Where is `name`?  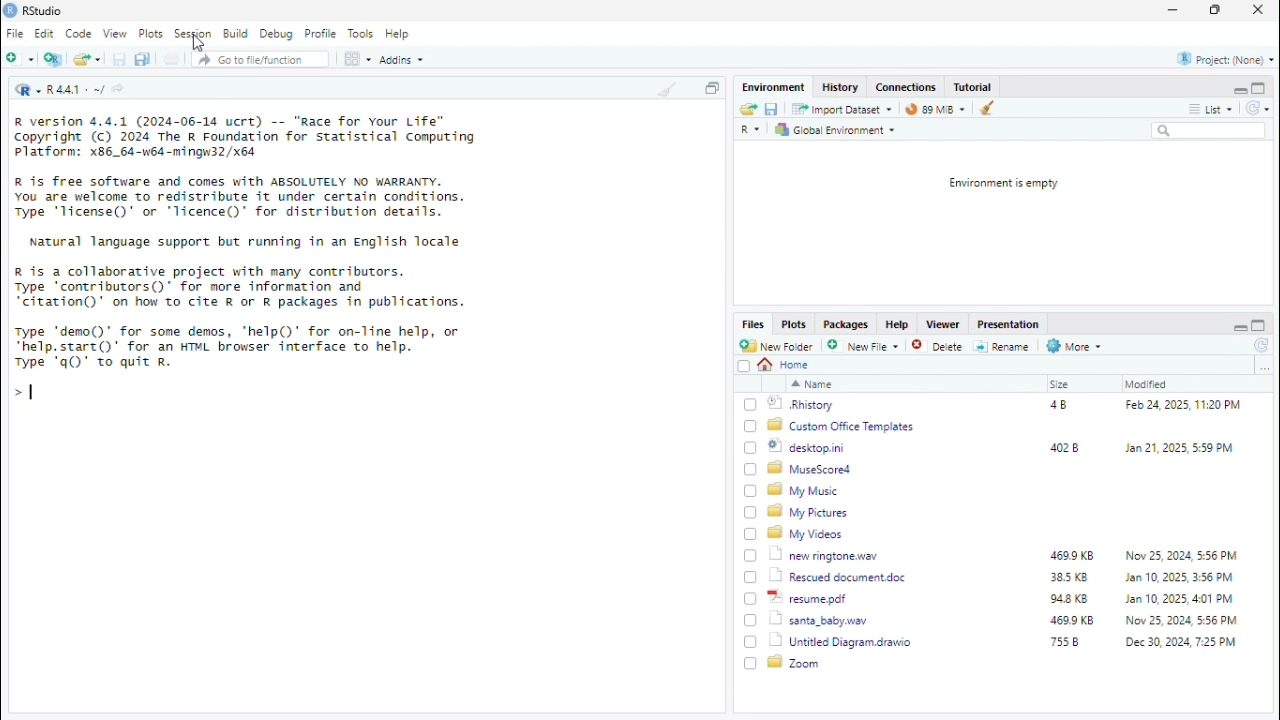
name is located at coordinates (812, 384).